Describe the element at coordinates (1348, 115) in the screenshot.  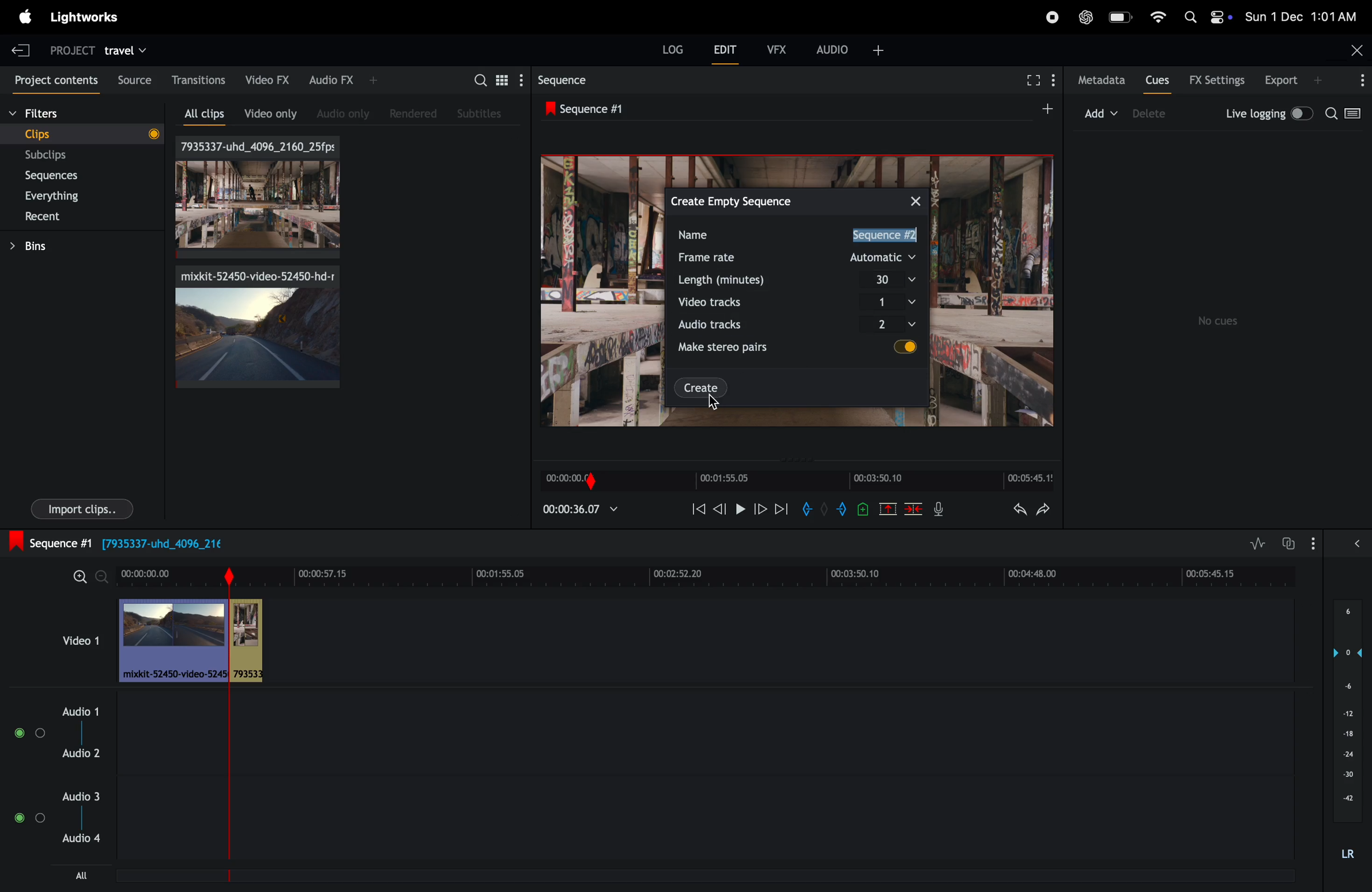
I see `search options` at that location.